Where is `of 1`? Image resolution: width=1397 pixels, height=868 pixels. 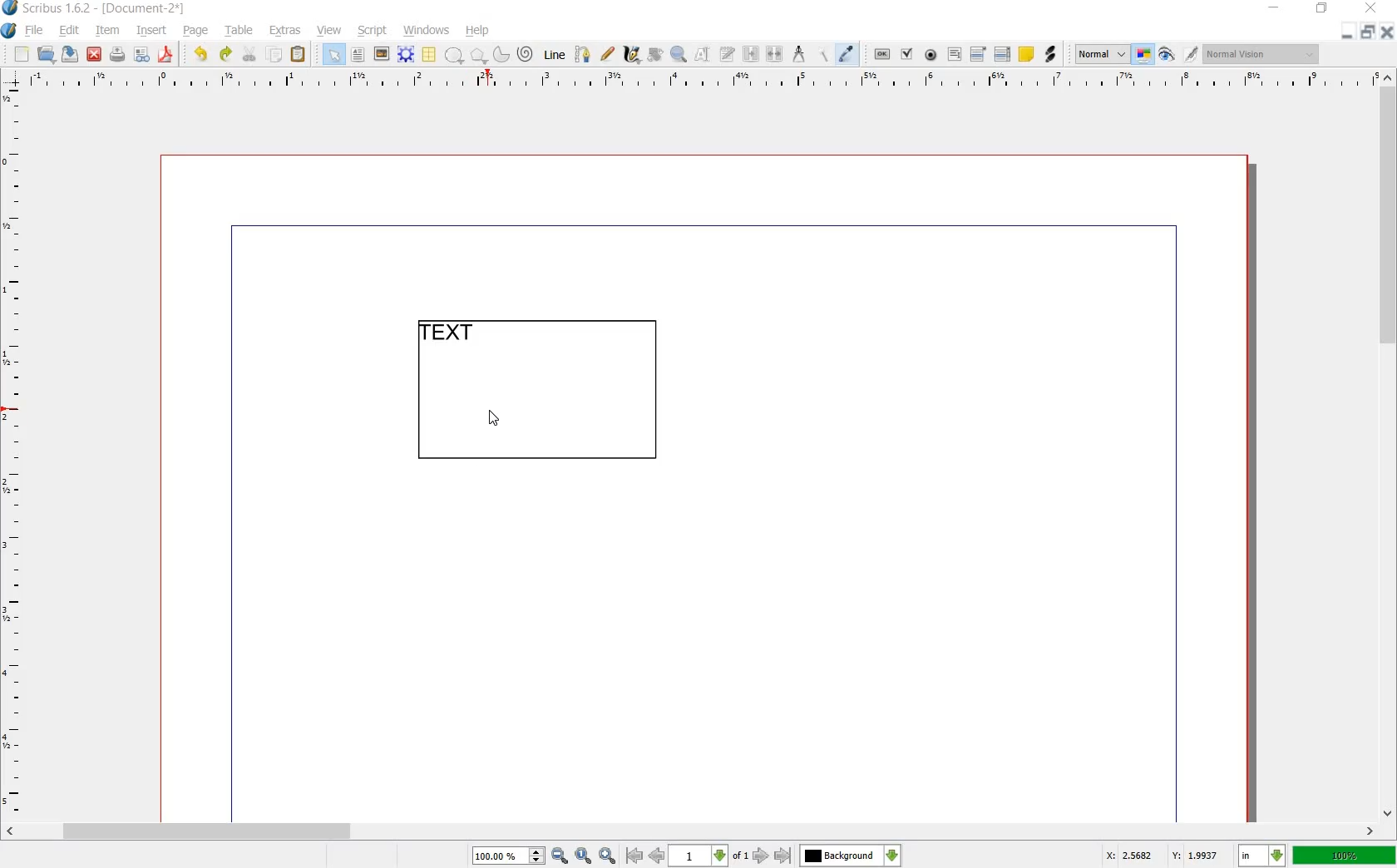
of 1 is located at coordinates (739, 857).